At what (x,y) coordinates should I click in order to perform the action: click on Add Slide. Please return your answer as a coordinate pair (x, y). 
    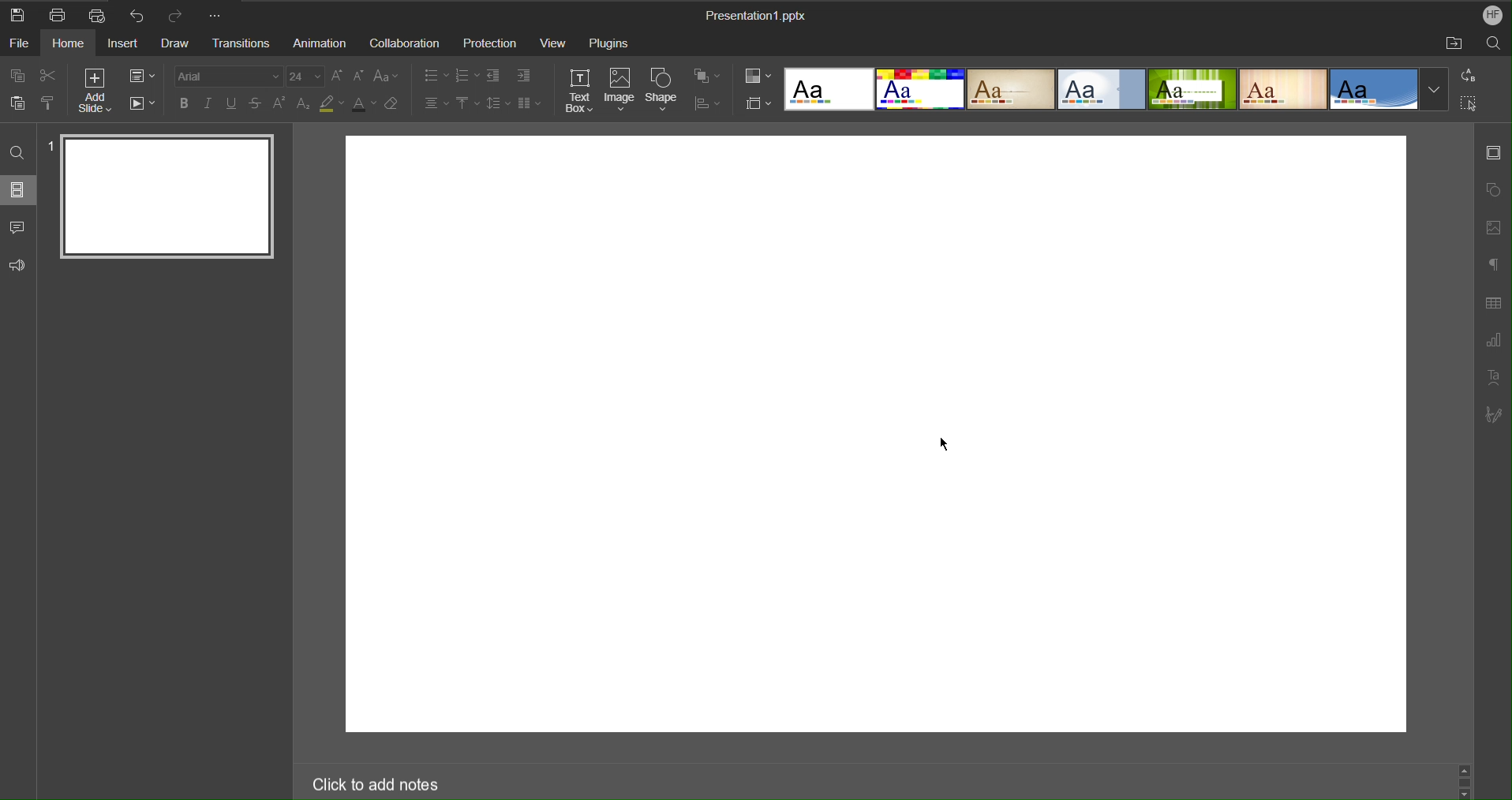
    Looking at the image, I should click on (98, 90).